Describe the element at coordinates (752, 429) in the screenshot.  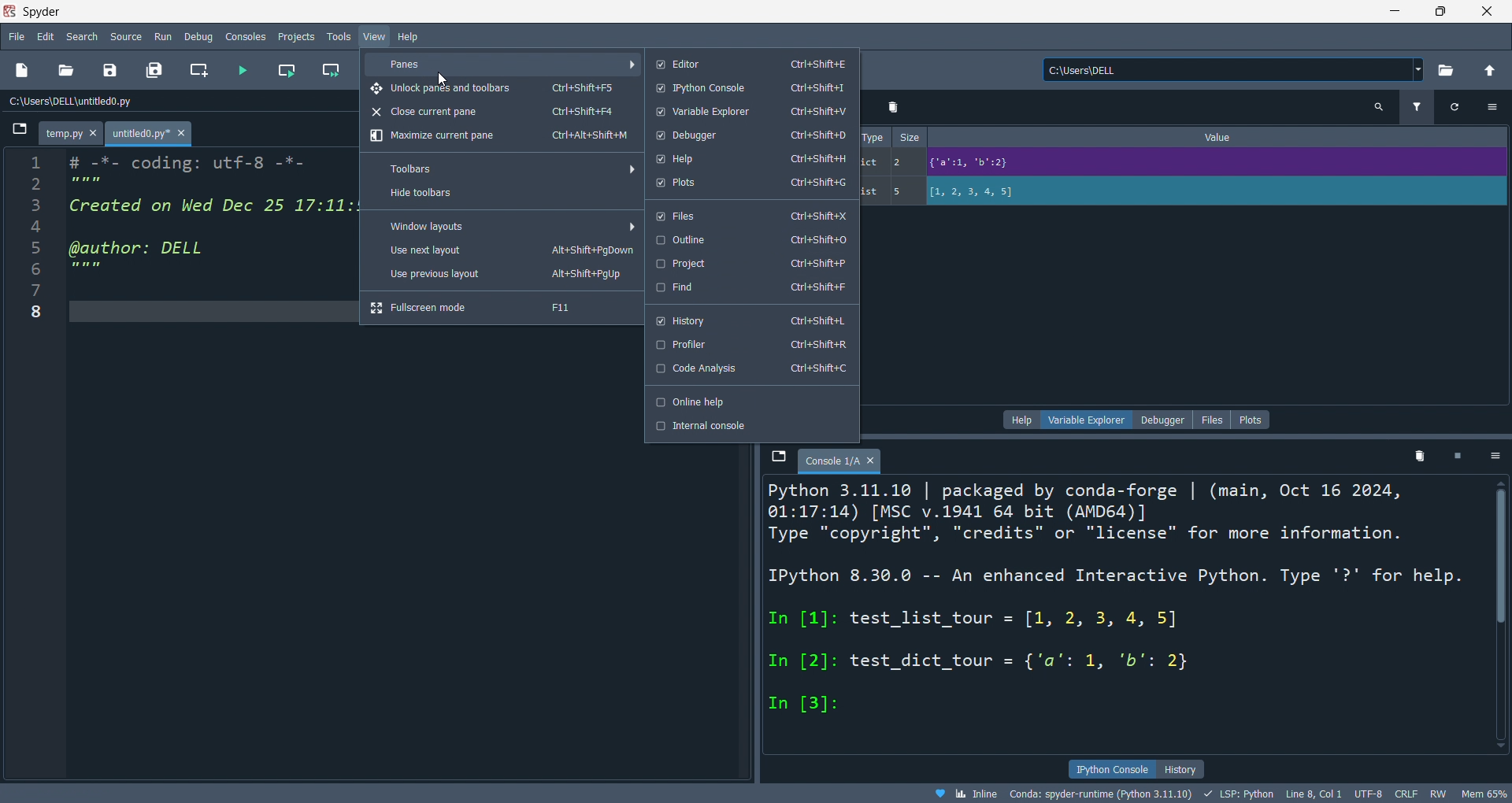
I see `internal console` at that location.